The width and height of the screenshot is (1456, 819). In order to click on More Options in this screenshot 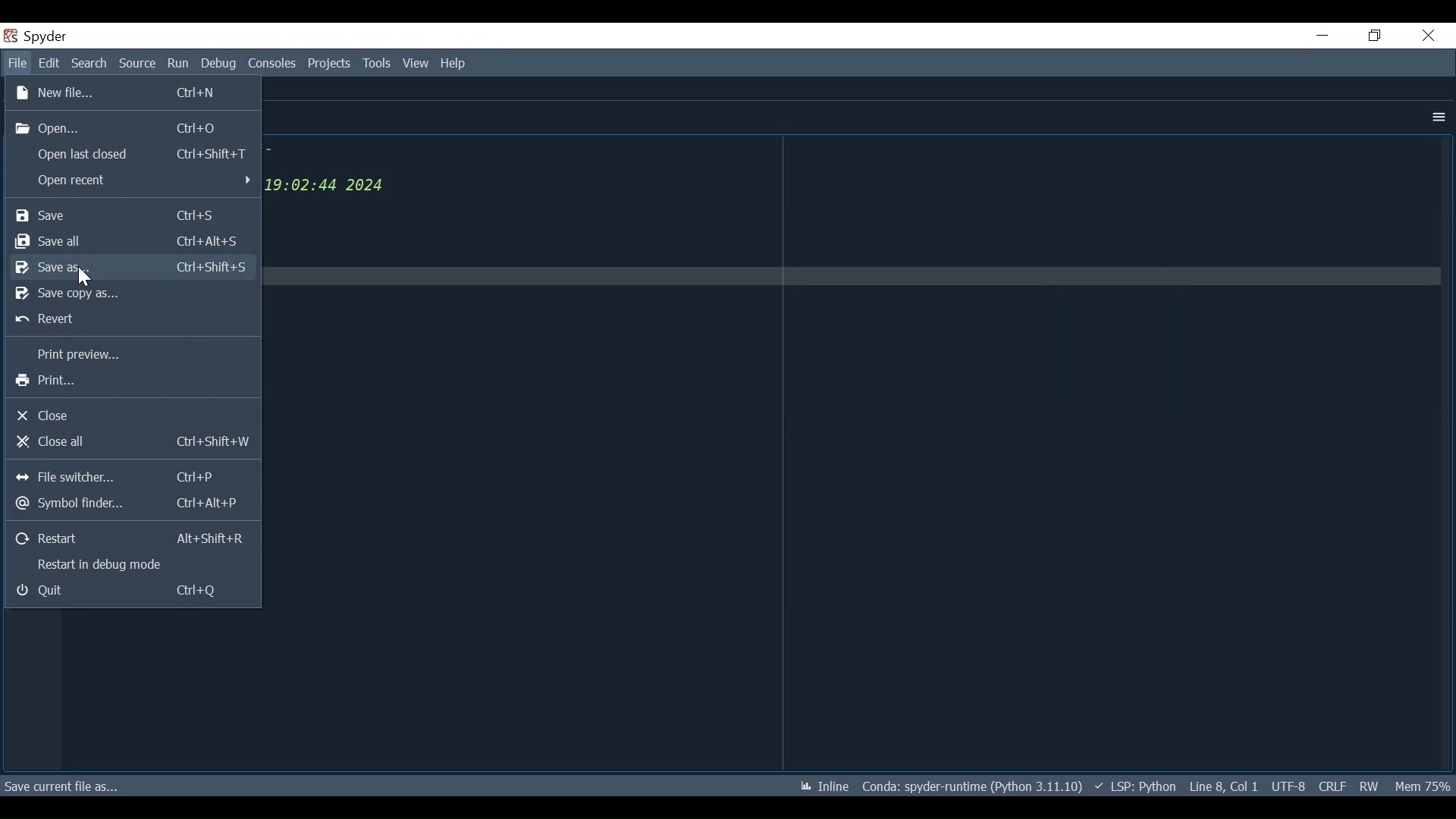, I will do `click(1436, 118)`.